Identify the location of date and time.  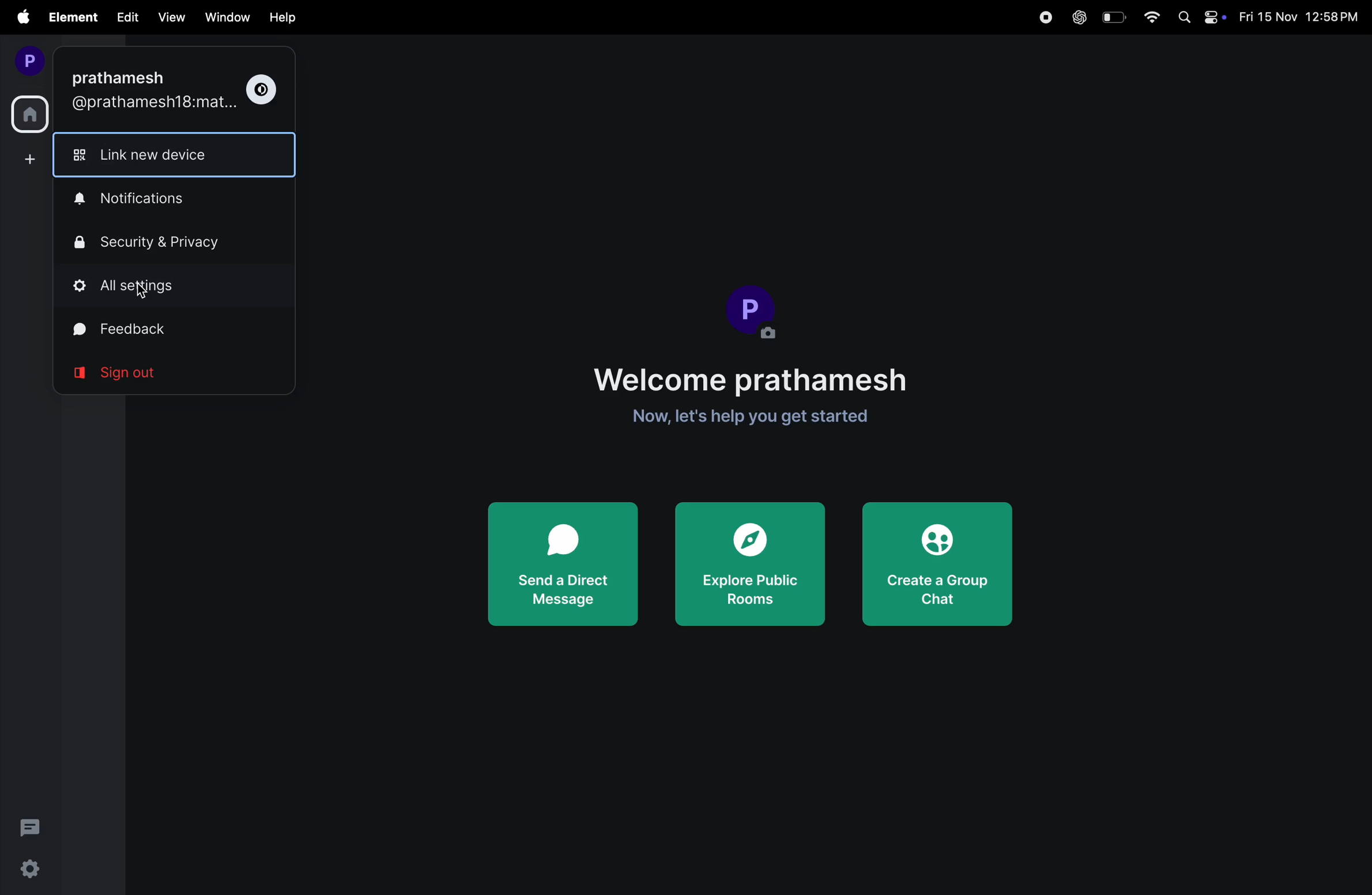
(1301, 18).